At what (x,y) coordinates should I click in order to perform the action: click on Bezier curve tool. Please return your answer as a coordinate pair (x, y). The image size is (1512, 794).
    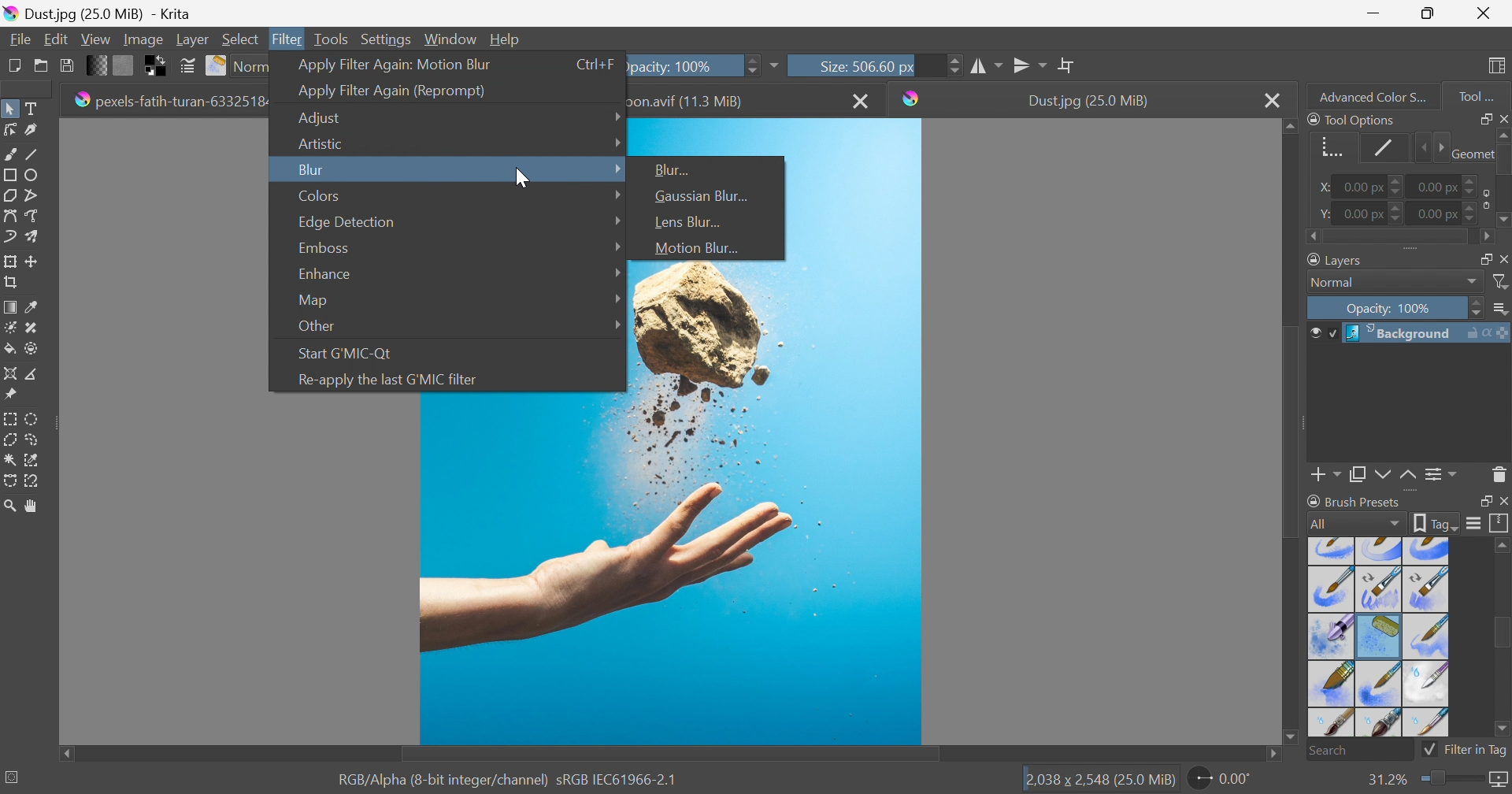
    Looking at the image, I should click on (9, 216).